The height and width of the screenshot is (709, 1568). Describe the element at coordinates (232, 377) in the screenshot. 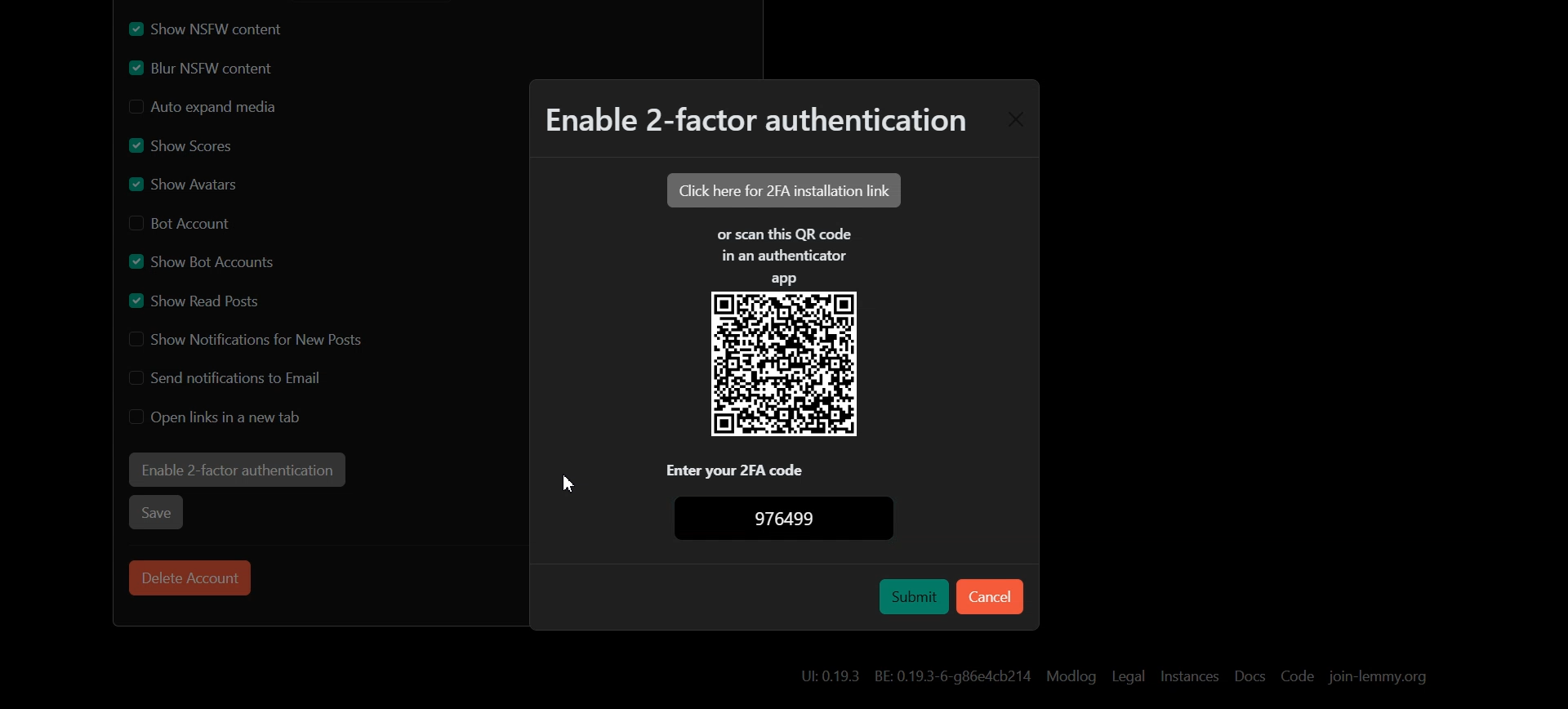

I see `Disable Send notification to Email` at that location.